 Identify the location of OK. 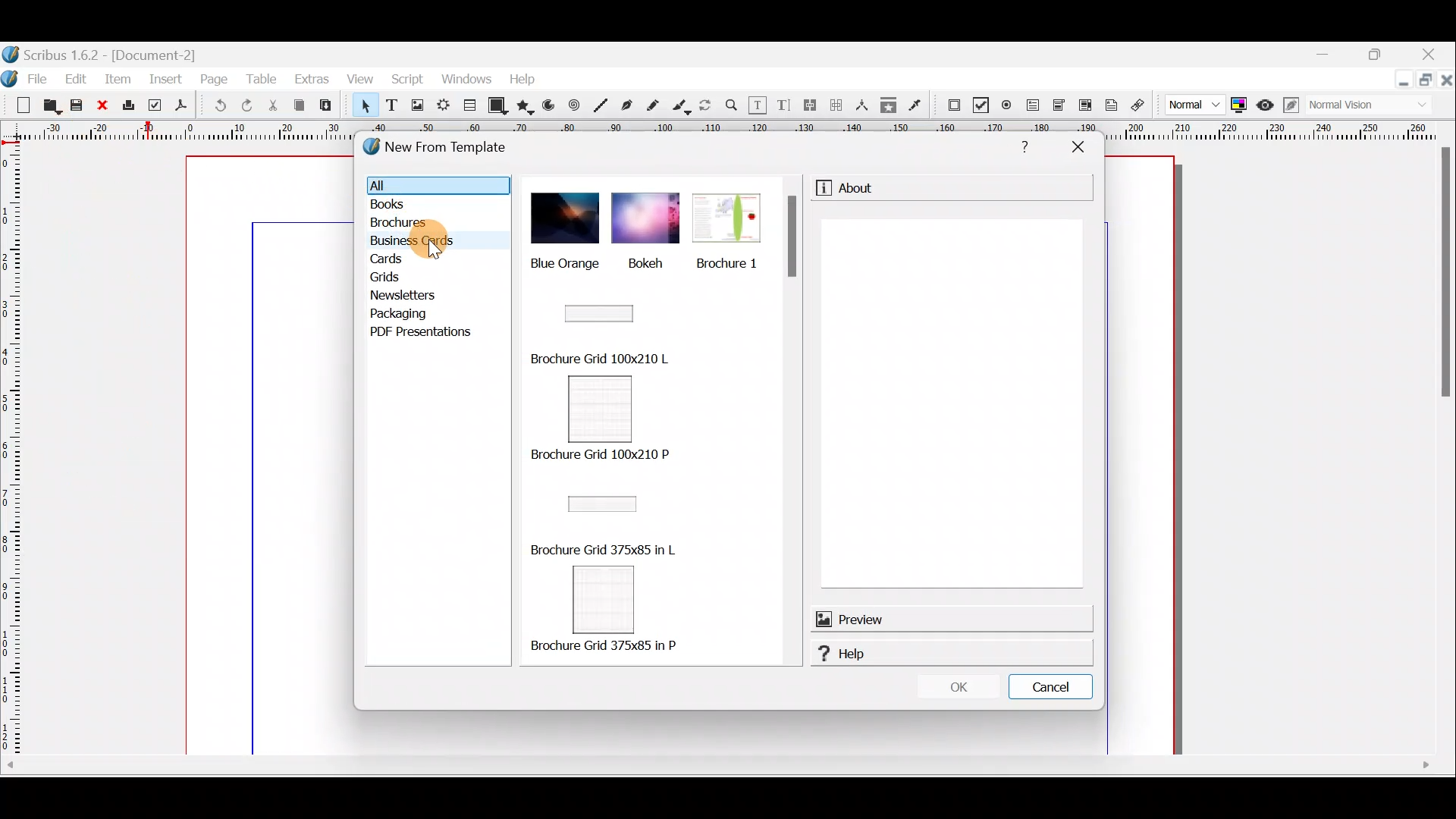
(958, 690).